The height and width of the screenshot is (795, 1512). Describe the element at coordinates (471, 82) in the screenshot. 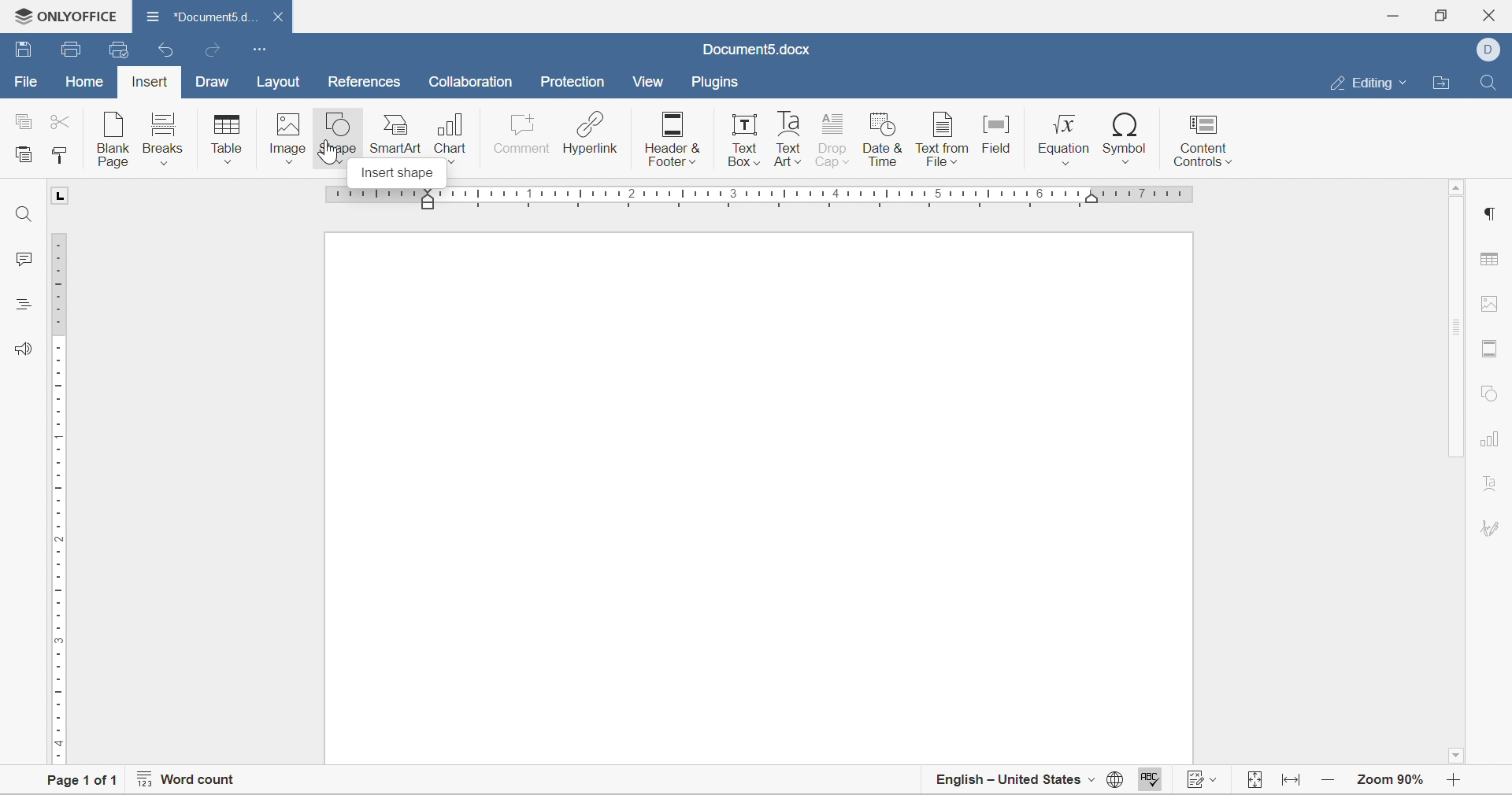

I see `collaboration` at that location.